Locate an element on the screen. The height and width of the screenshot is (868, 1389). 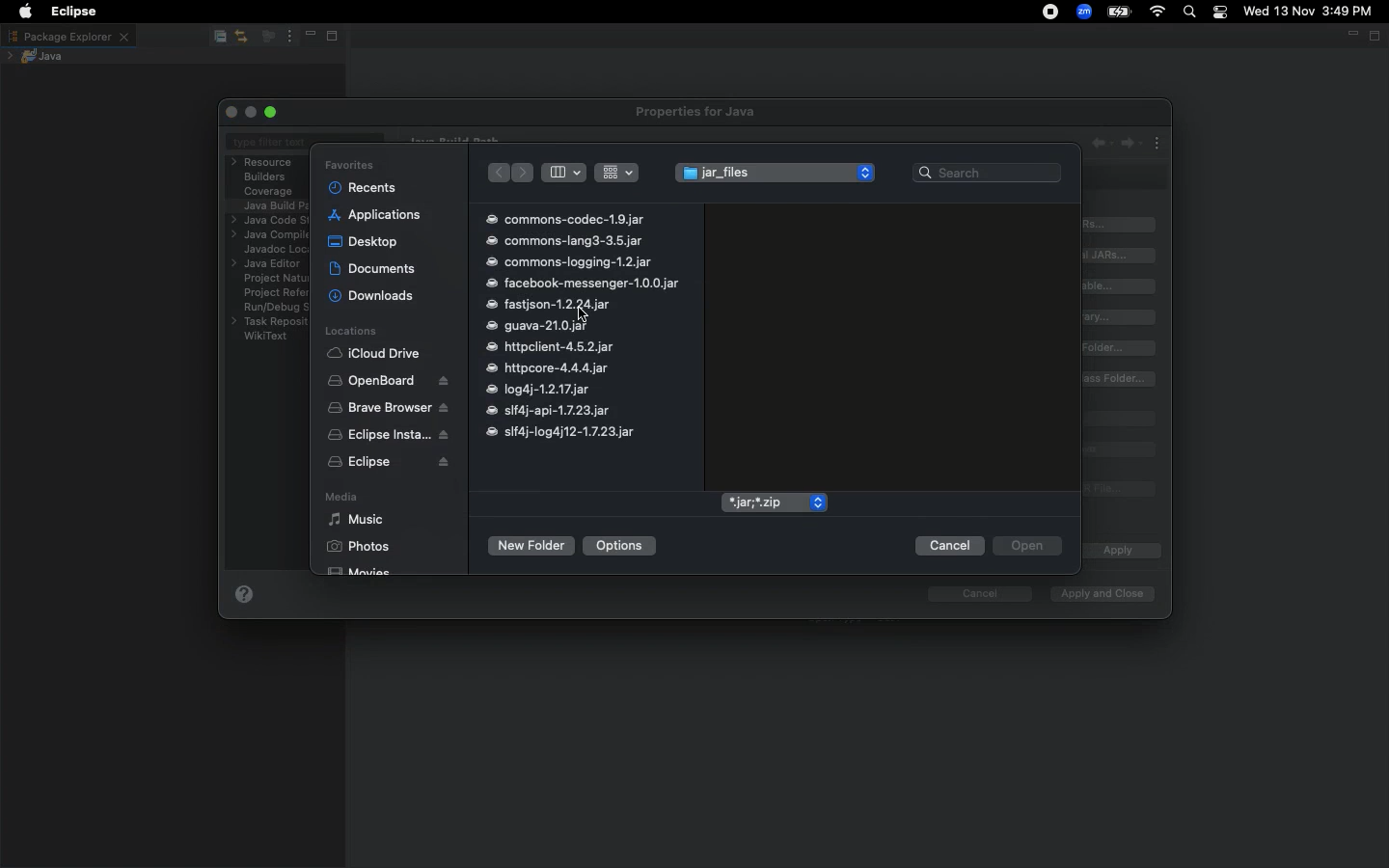
Eclipse installer is located at coordinates (384, 436).